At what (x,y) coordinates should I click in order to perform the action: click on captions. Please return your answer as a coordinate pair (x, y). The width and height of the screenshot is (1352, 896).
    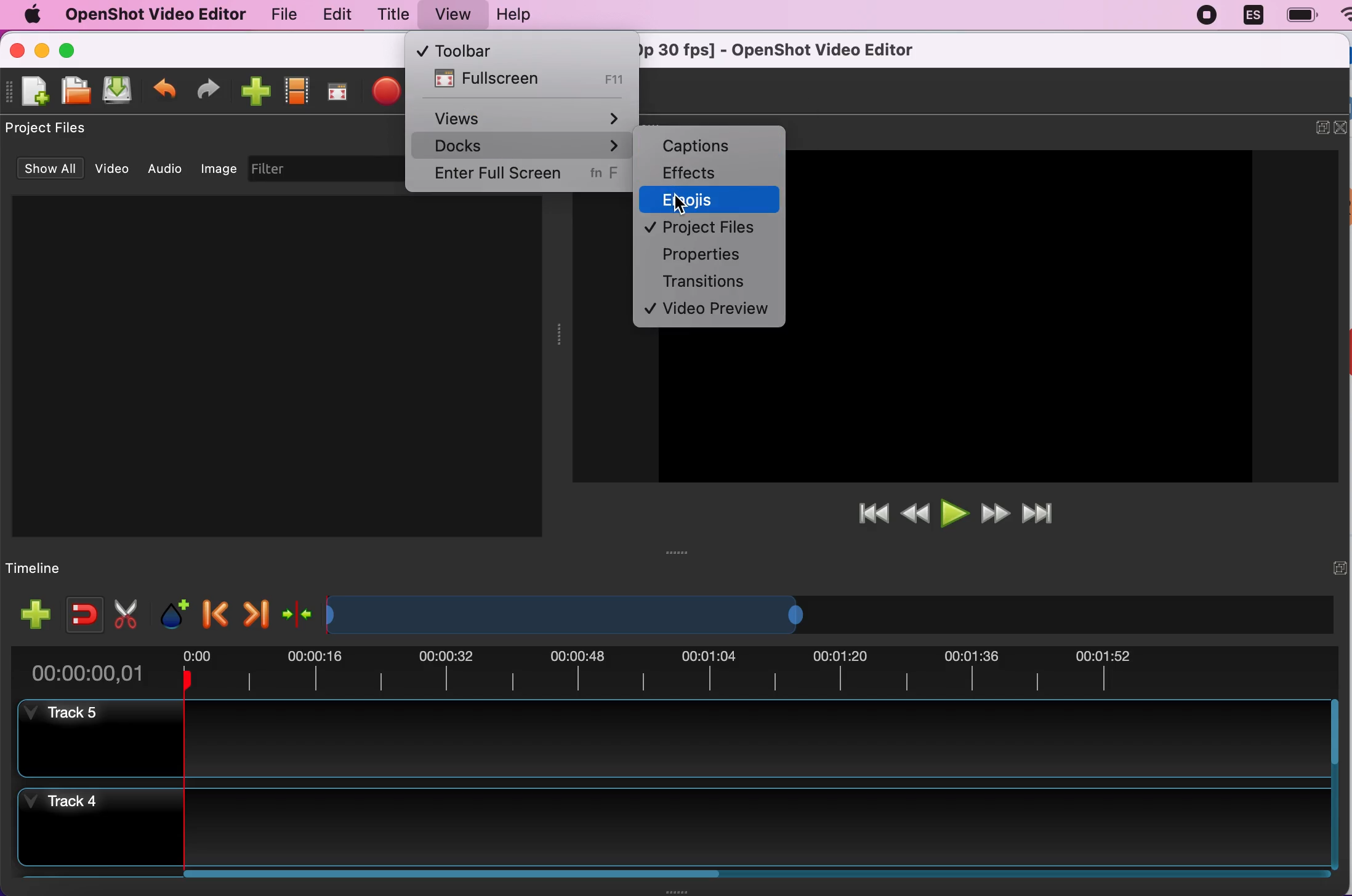
    Looking at the image, I should click on (705, 145).